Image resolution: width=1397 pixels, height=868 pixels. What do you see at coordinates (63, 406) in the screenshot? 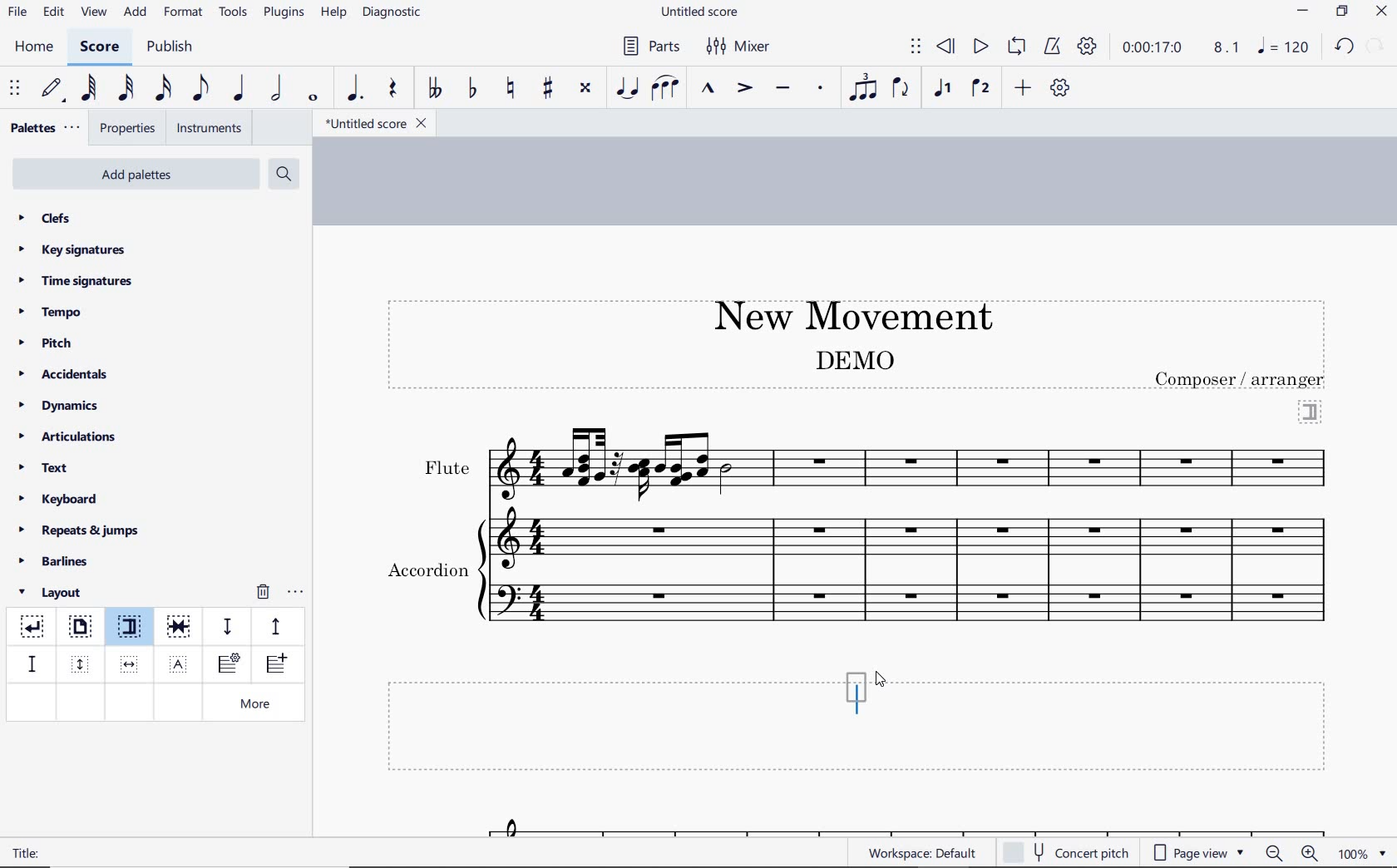
I see `dynamics` at bounding box center [63, 406].